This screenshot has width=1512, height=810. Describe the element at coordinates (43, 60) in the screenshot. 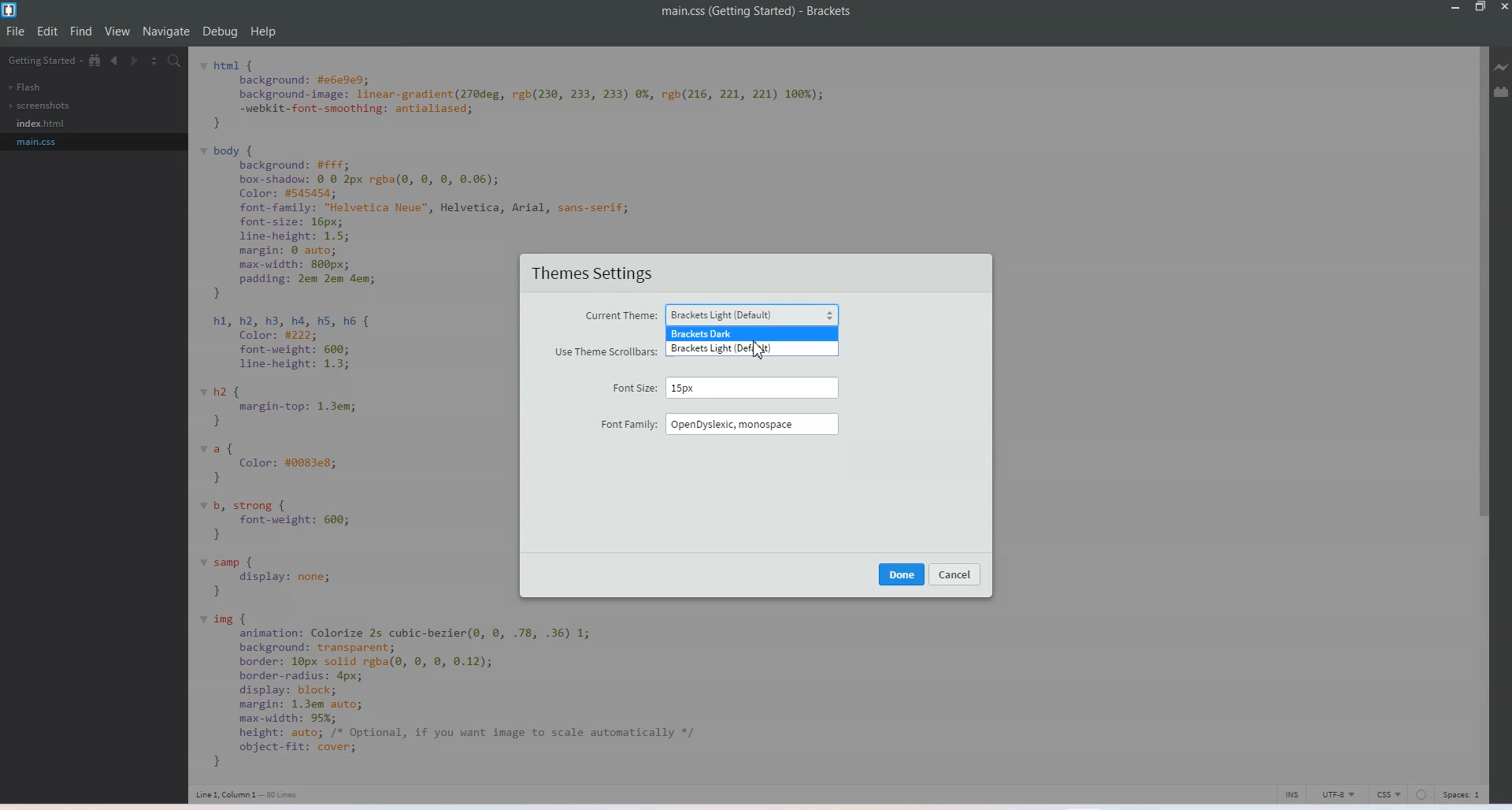

I see `Getting Started` at that location.